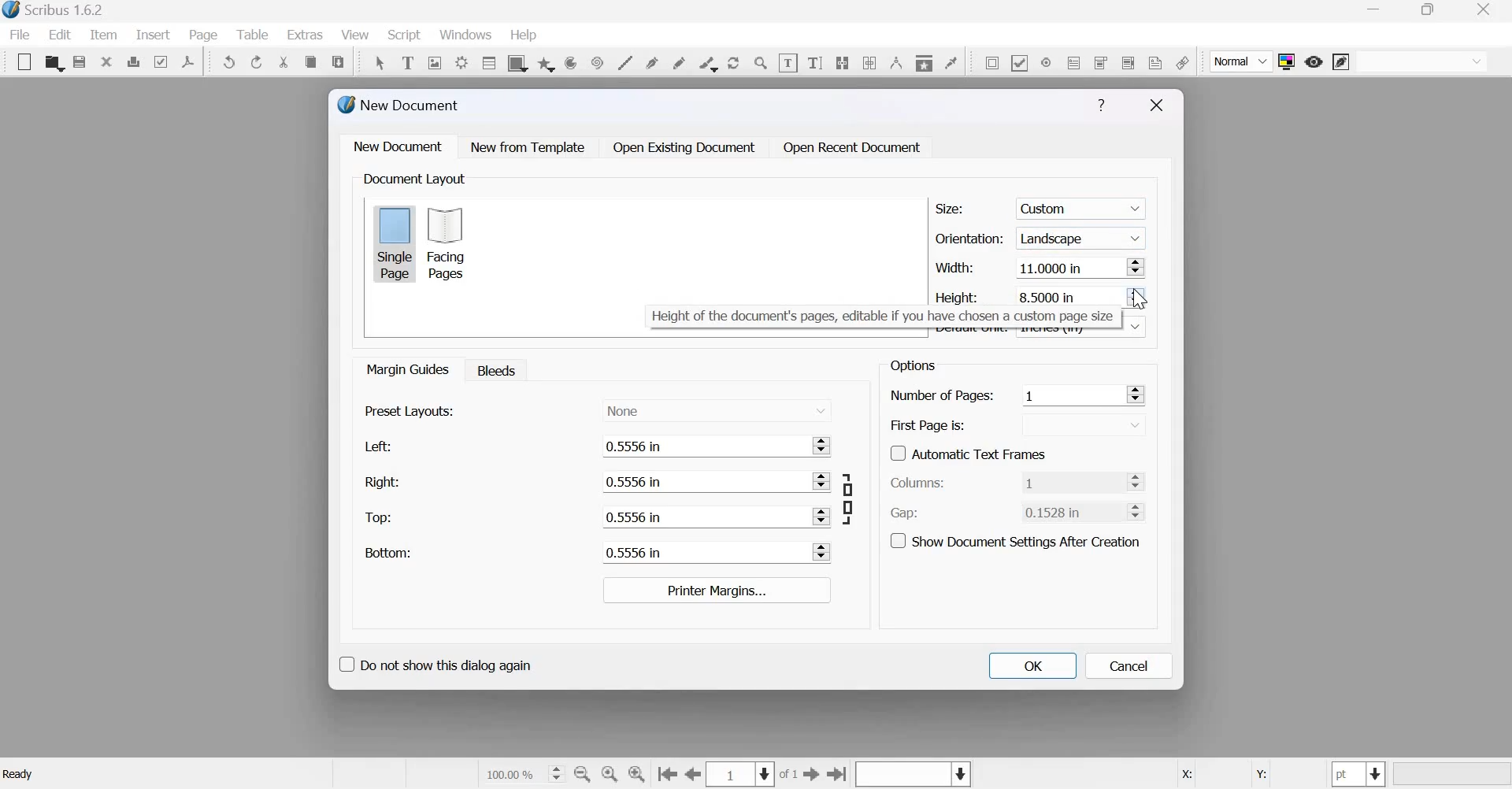  I want to click on down, so click(1136, 326).